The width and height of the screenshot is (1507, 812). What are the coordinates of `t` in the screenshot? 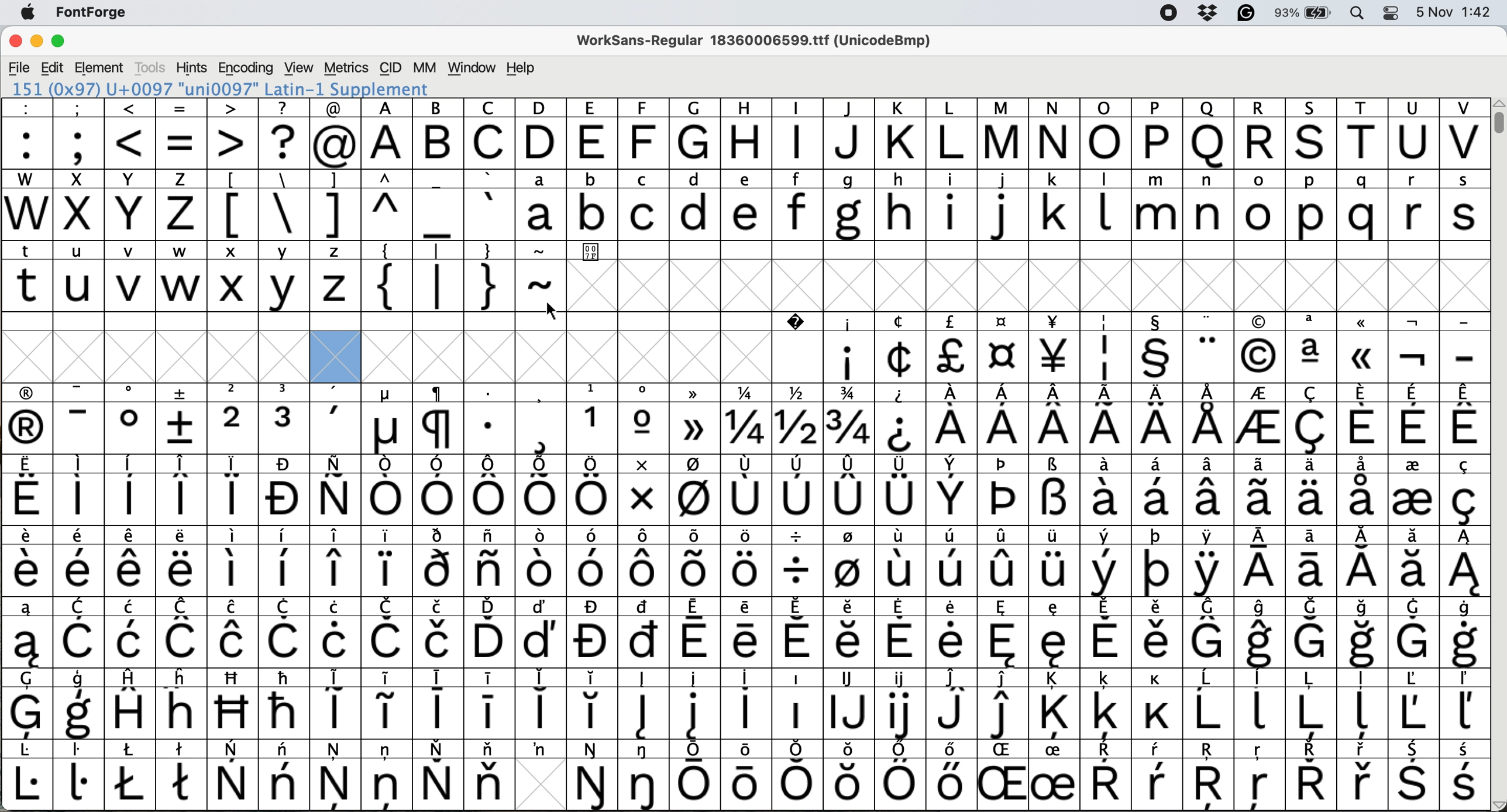 It's located at (27, 275).